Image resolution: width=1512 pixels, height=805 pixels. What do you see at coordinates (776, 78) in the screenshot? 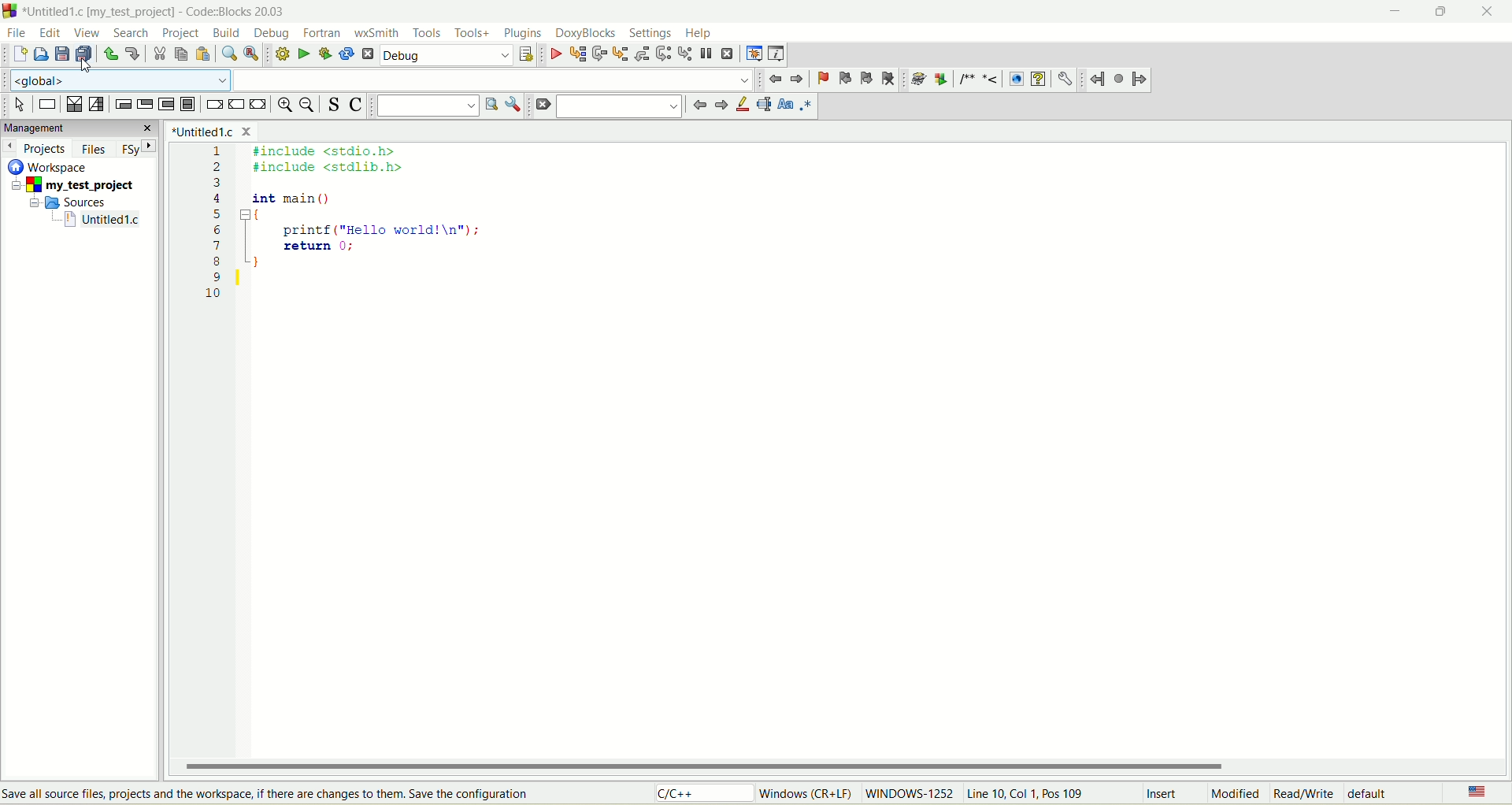
I see `go back` at bounding box center [776, 78].